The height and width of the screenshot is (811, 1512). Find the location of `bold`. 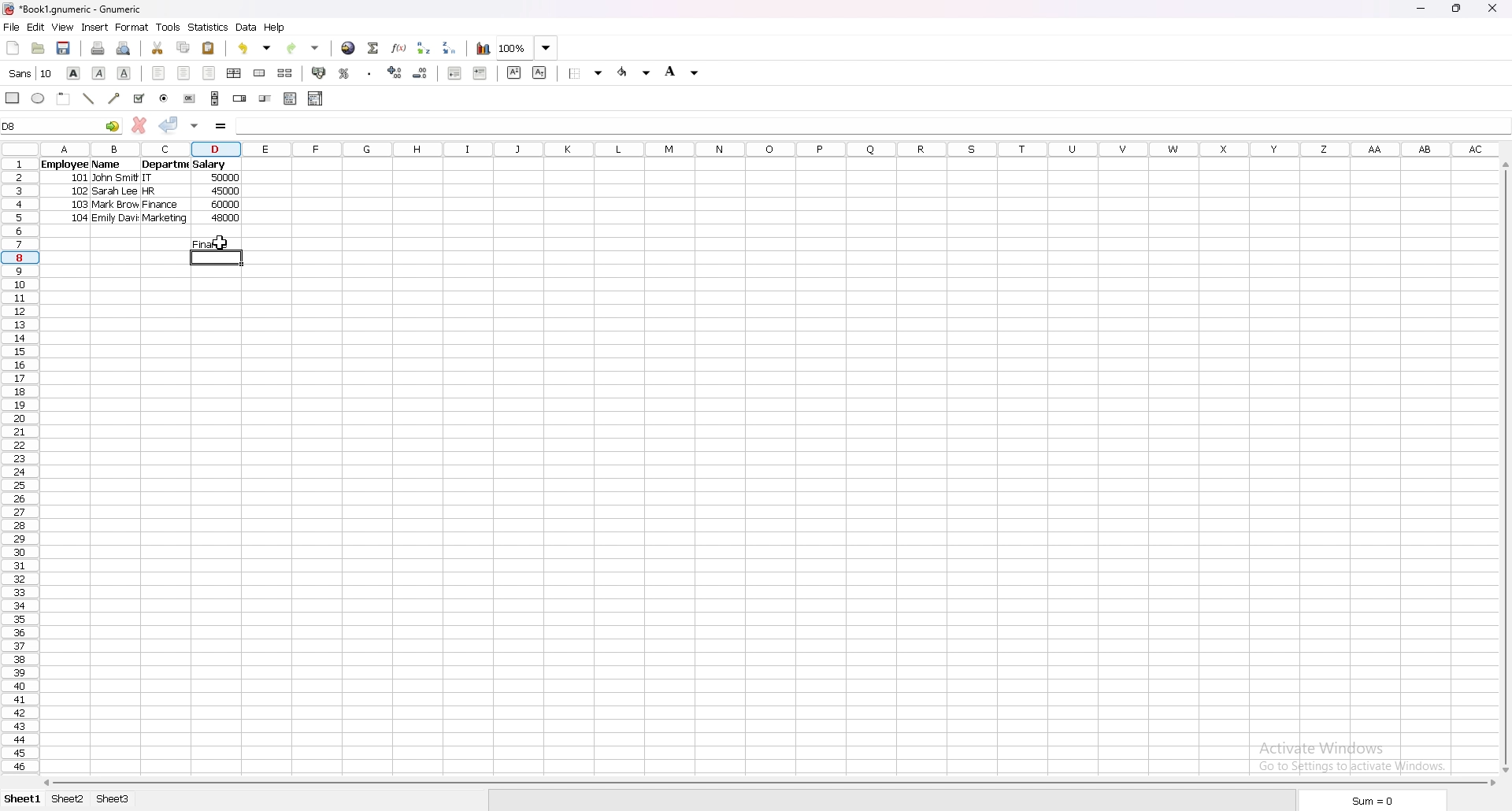

bold is located at coordinates (73, 72).